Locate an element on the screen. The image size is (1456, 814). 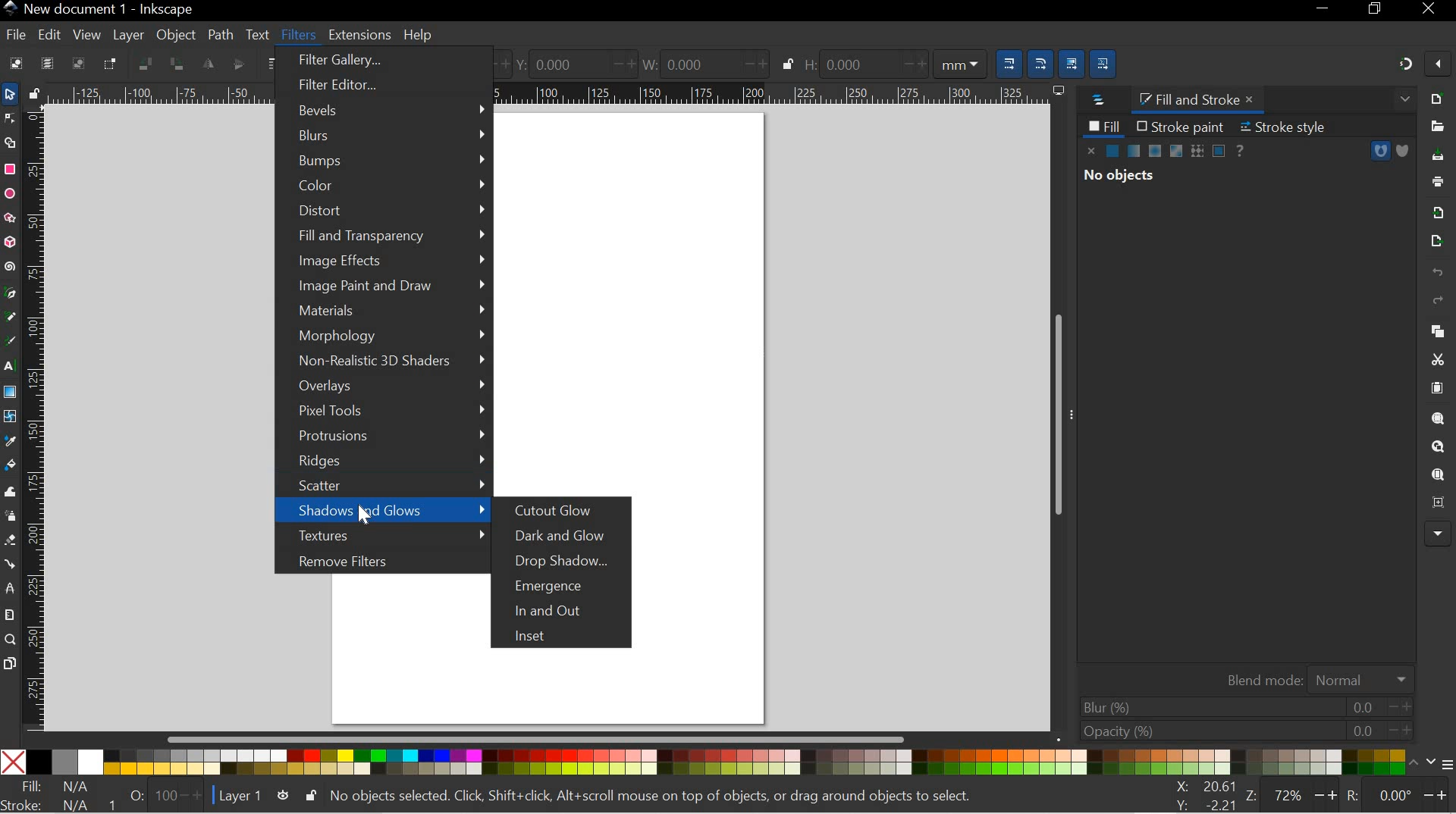
OVERLAYS is located at coordinates (386, 387).